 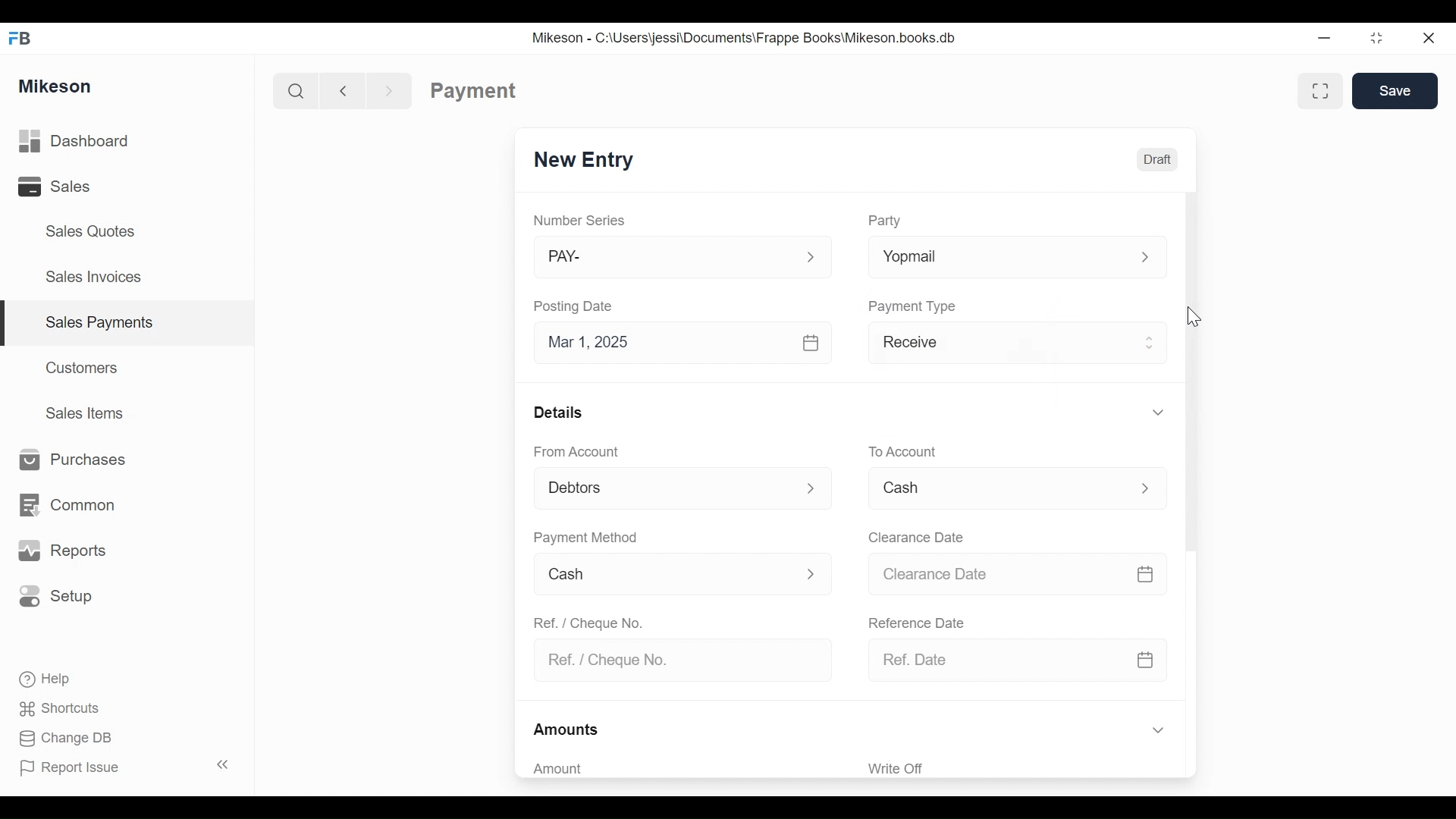 I want to click on , so click(x=1016, y=484).